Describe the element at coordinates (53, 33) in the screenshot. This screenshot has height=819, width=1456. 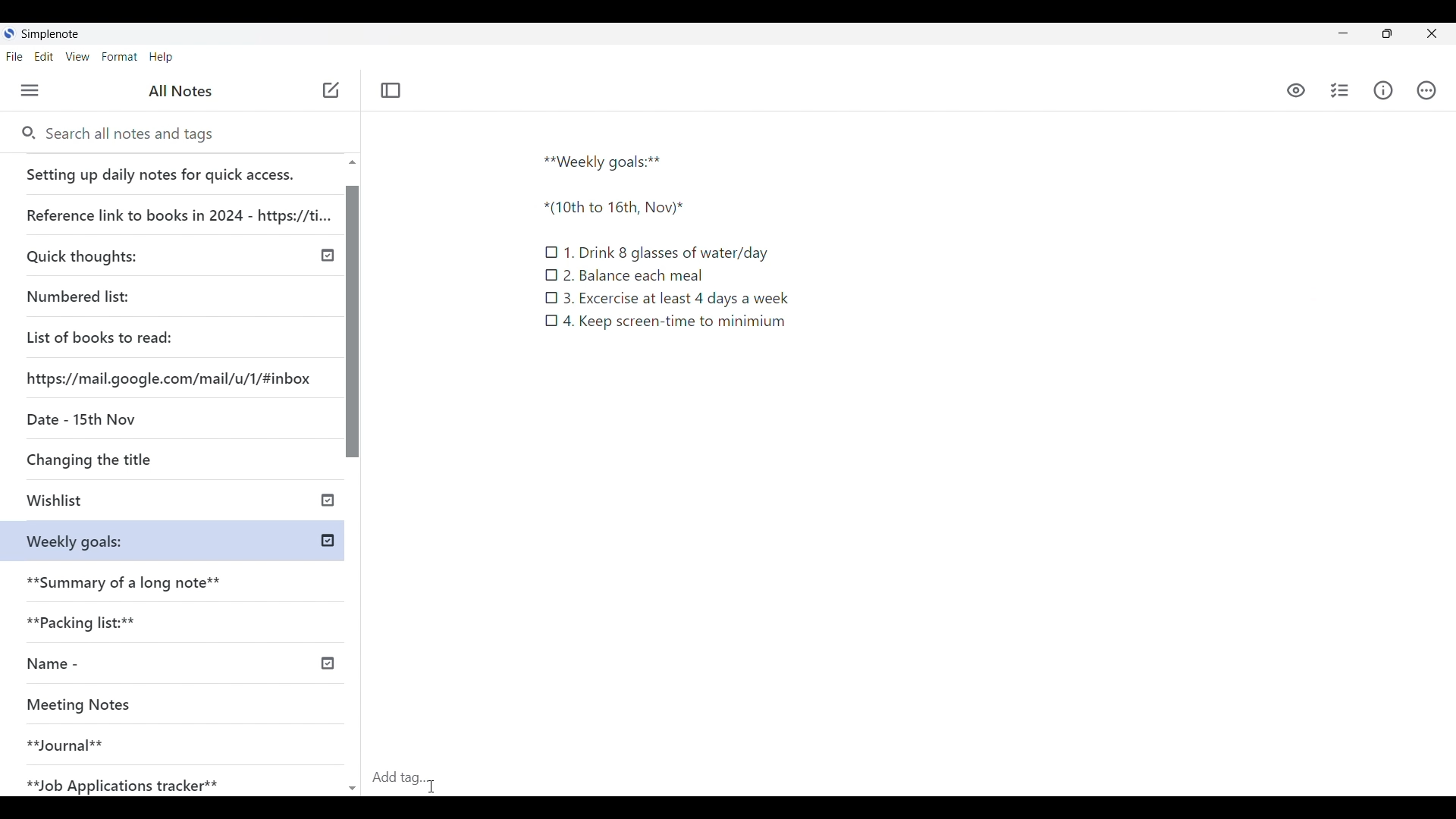
I see `Software note` at that location.